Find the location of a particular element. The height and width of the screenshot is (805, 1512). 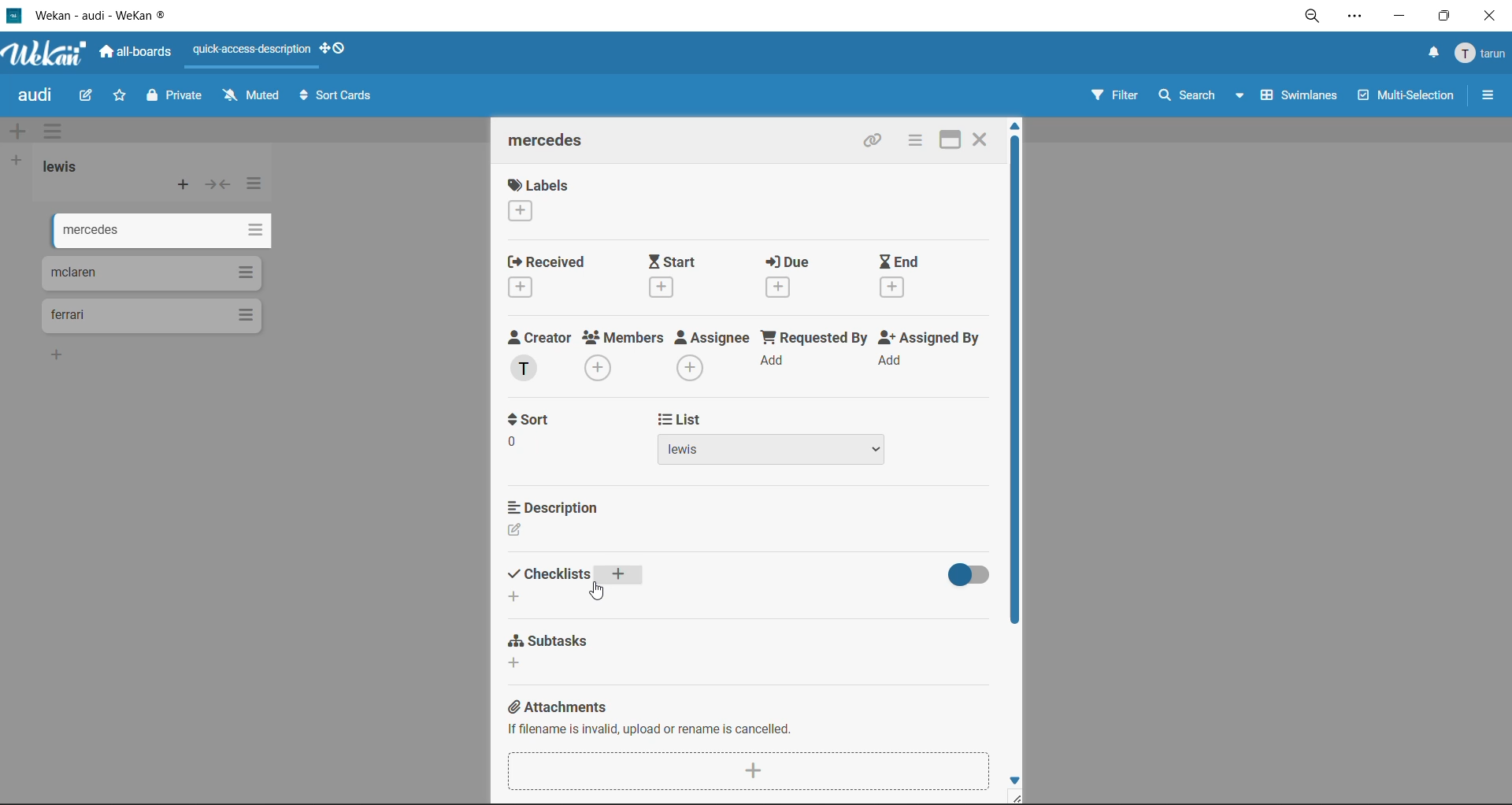

labels is located at coordinates (538, 202).